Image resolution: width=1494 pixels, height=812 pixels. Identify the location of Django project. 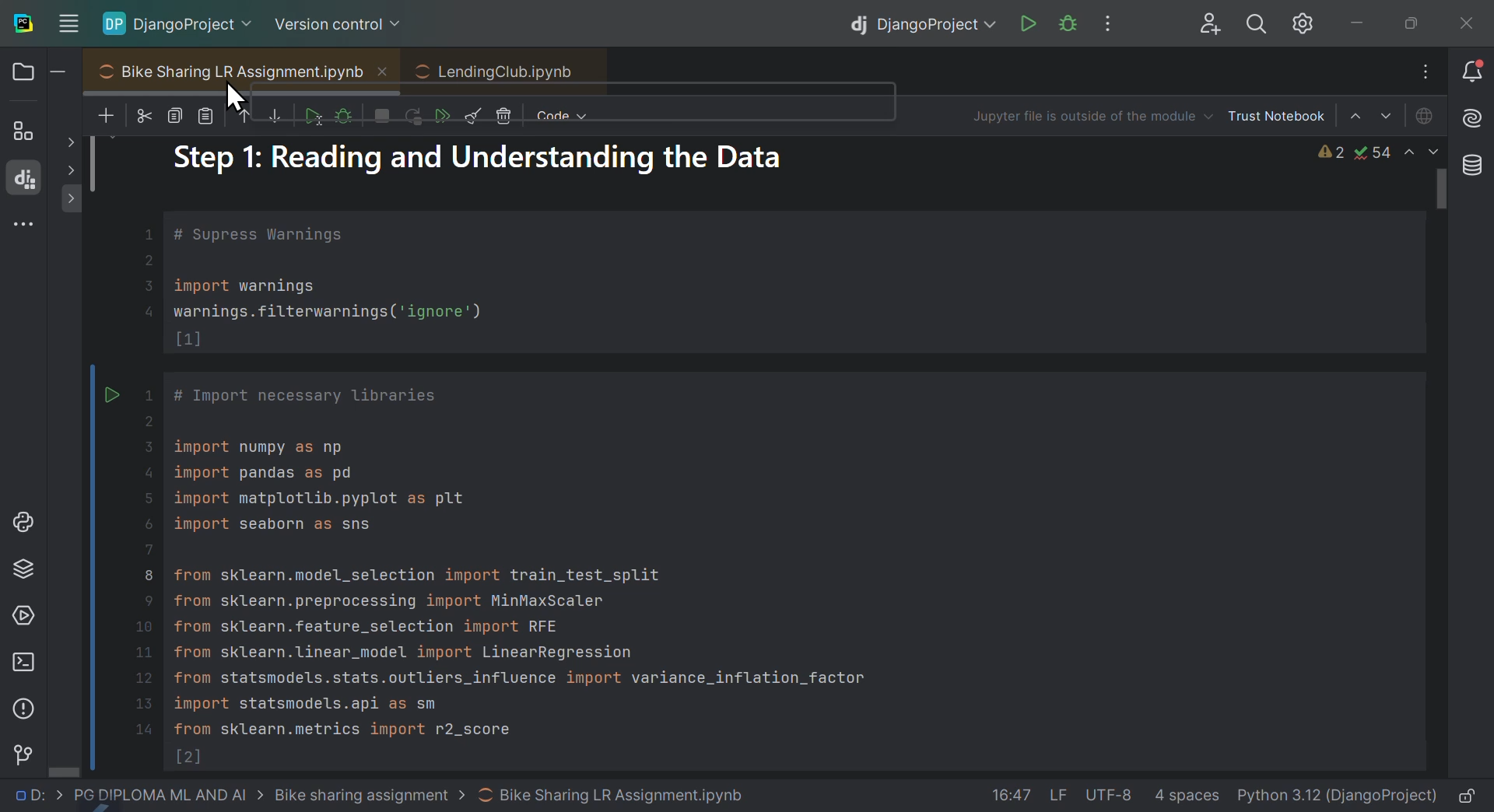
(921, 24).